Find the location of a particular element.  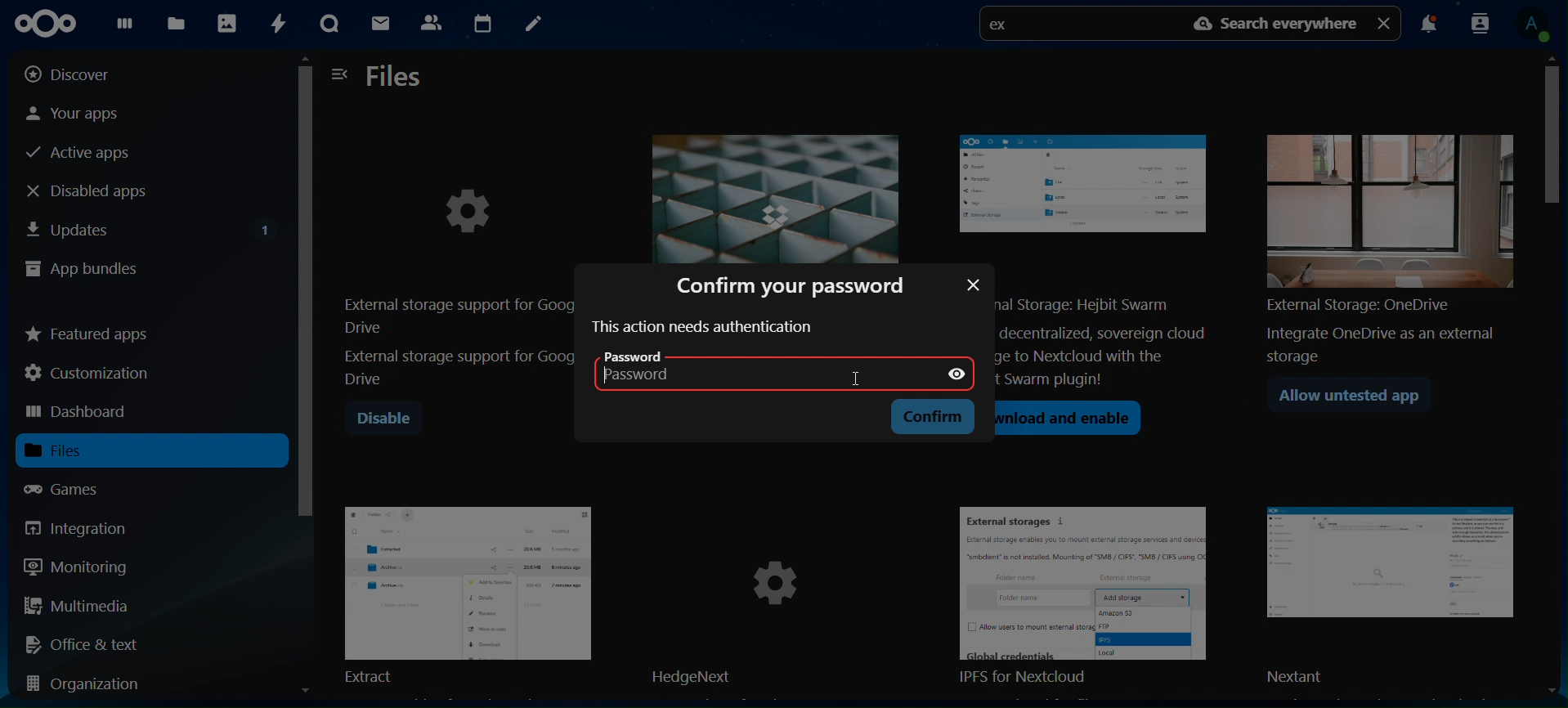

dashboard is located at coordinates (79, 413).